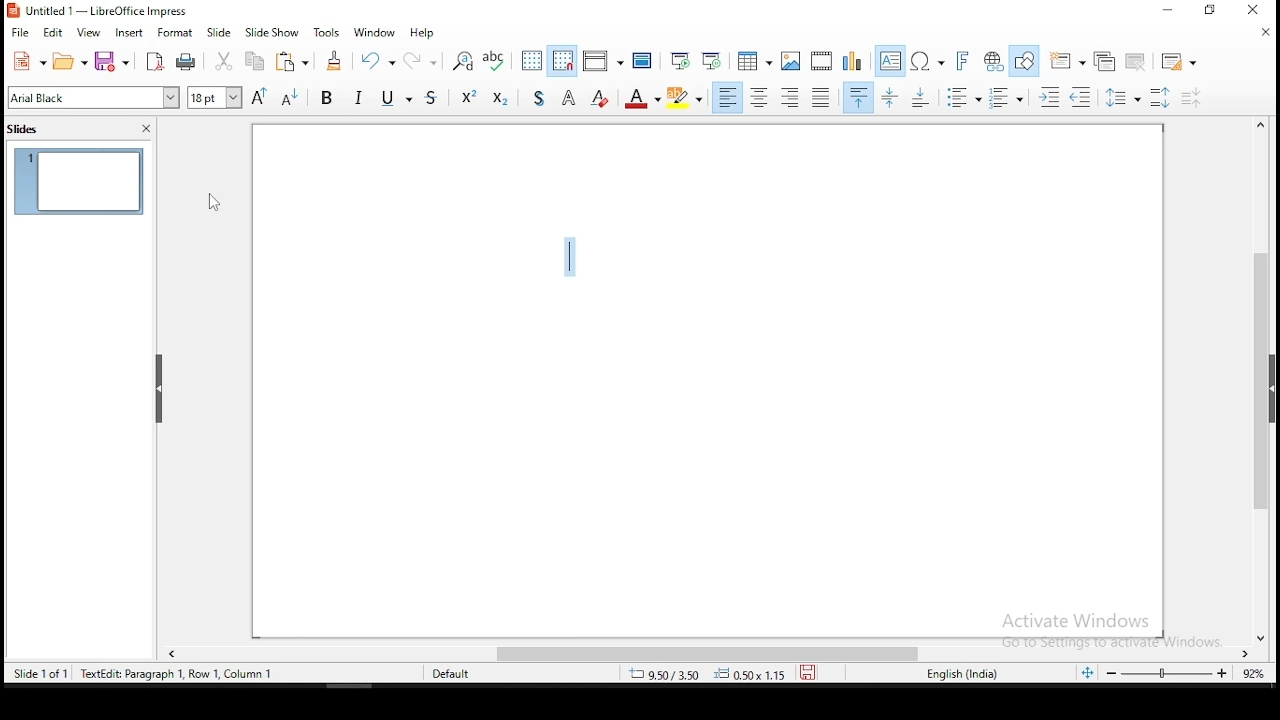 This screenshot has width=1280, height=720. Describe the element at coordinates (1137, 61) in the screenshot. I see `delete slide` at that location.